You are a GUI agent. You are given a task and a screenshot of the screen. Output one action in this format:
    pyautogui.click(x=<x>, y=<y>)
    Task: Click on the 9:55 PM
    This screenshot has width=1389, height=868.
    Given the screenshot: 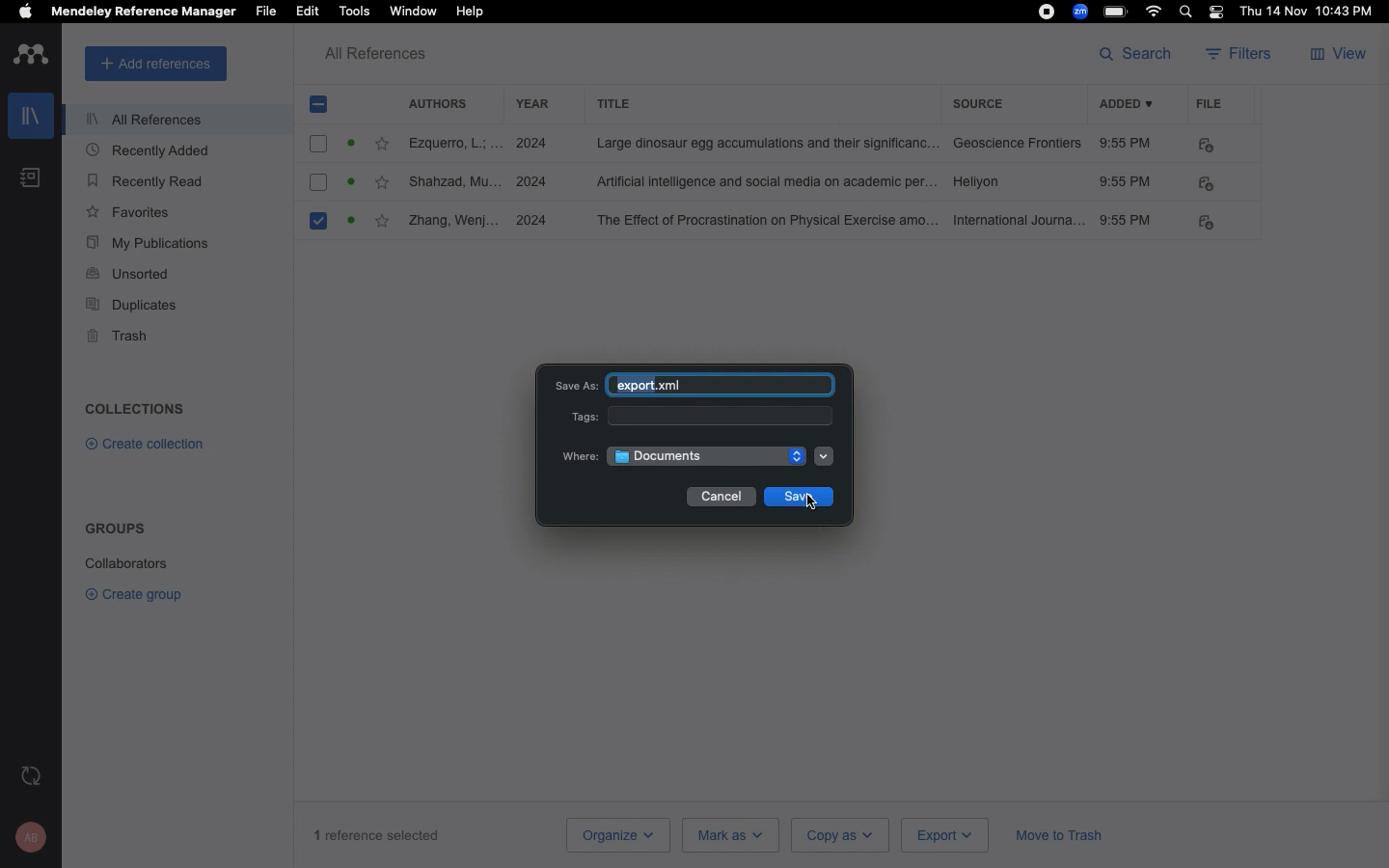 What is the action you would take?
    pyautogui.click(x=1128, y=182)
    